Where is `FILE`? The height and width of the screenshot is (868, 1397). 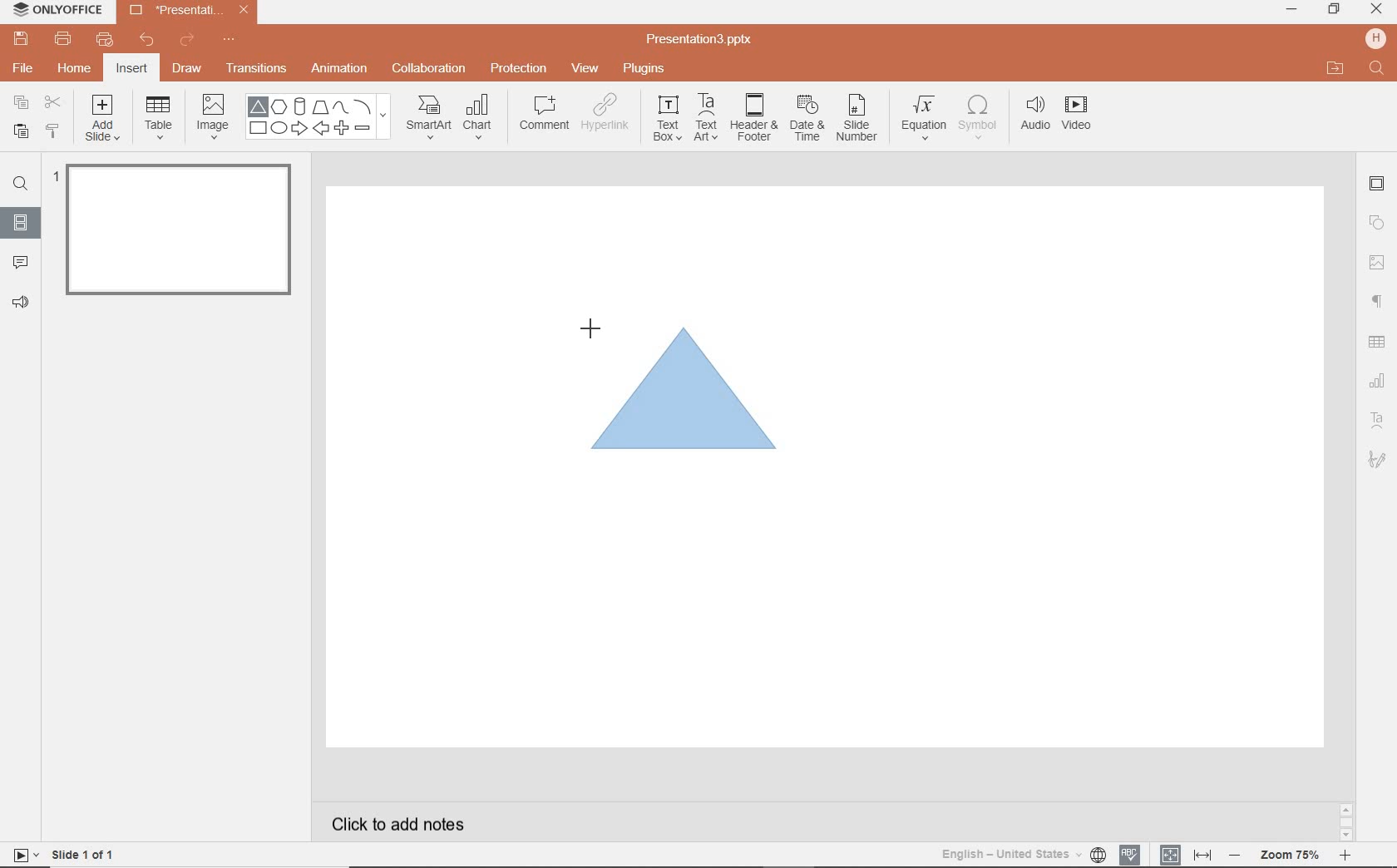 FILE is located at coordinates (25, 66).